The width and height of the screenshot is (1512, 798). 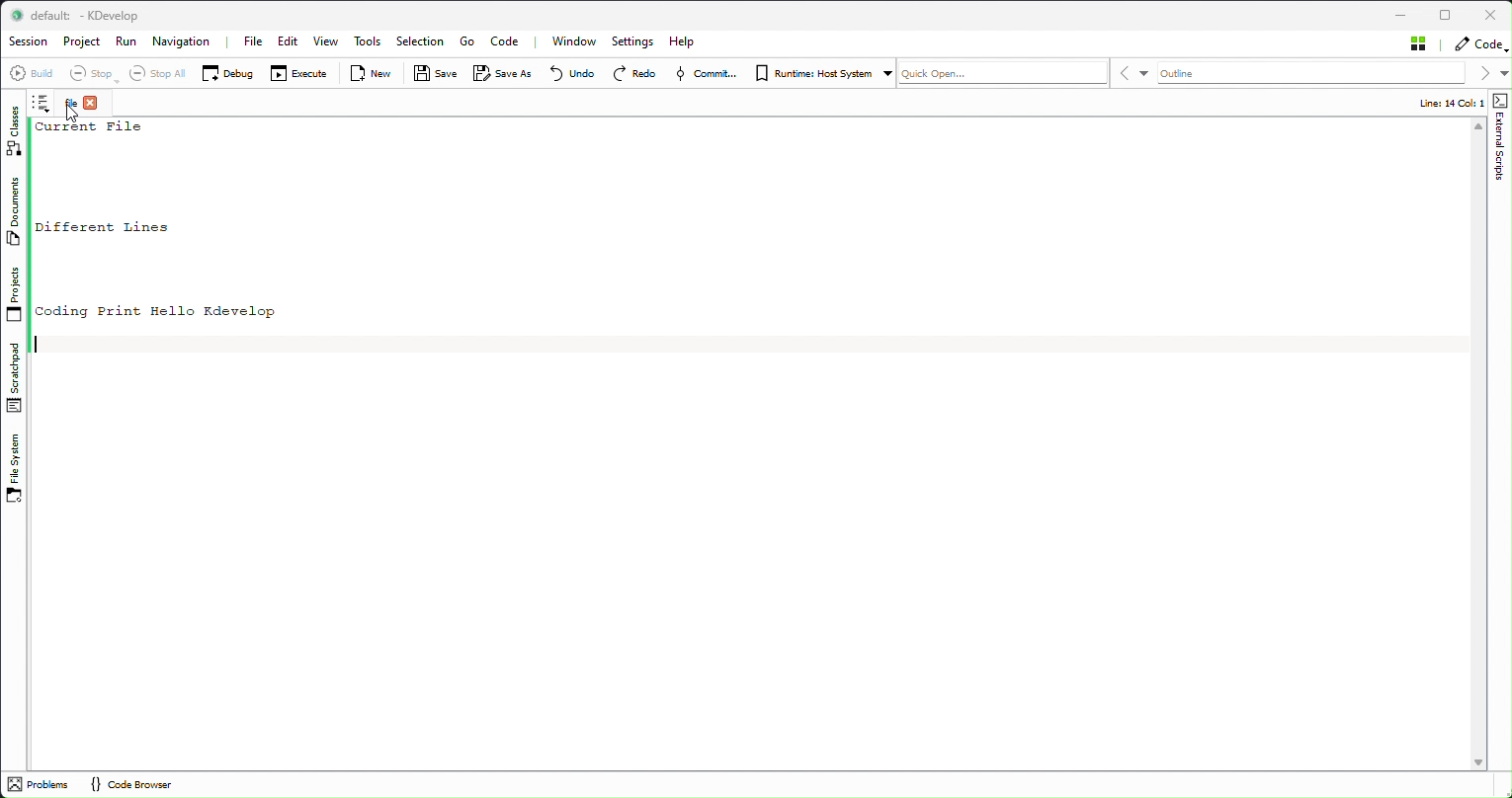 I want to click on minimize, so click(x=1400, y=14).